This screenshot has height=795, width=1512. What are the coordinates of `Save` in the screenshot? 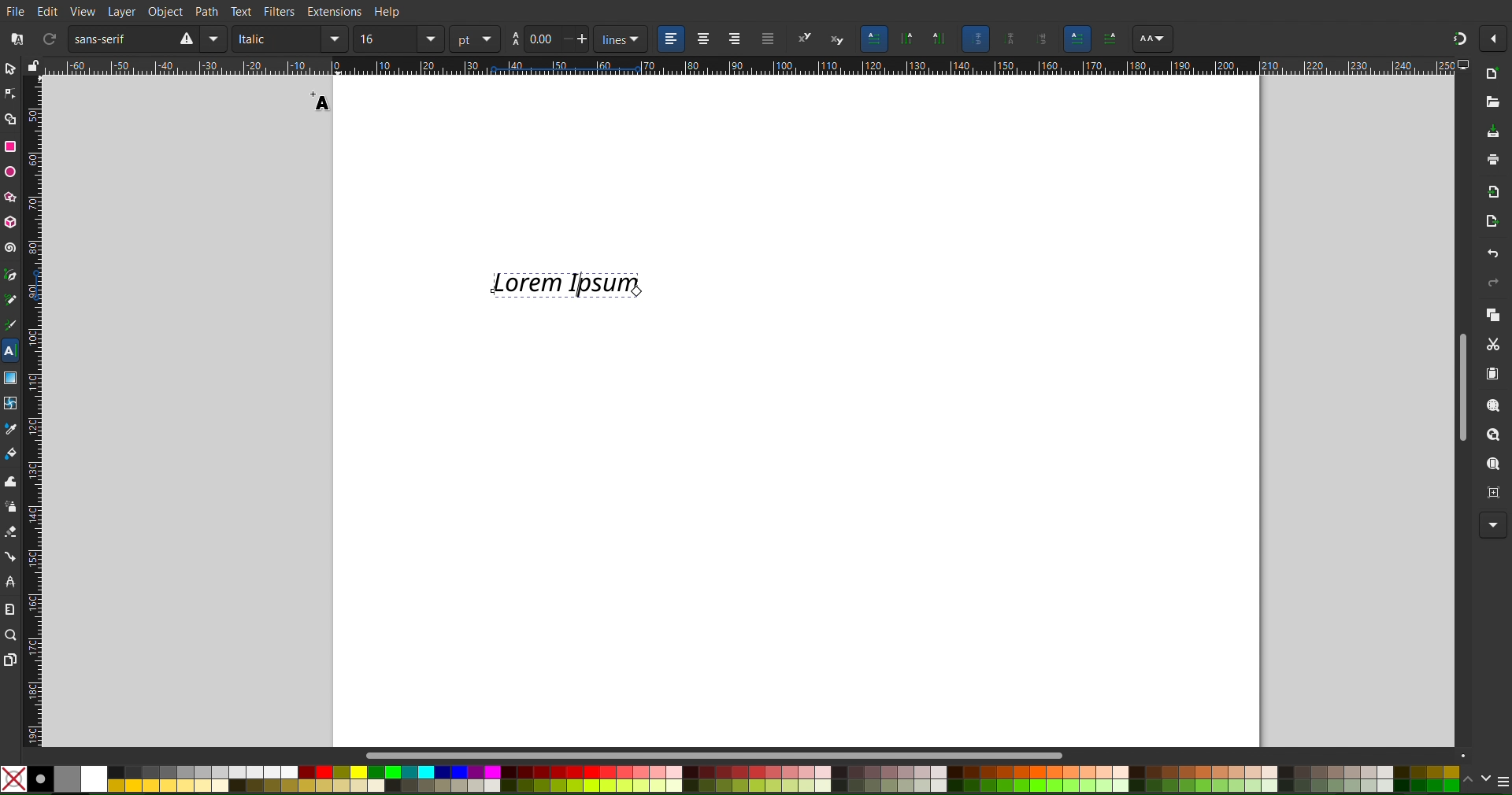 It's located at (1492, 131).